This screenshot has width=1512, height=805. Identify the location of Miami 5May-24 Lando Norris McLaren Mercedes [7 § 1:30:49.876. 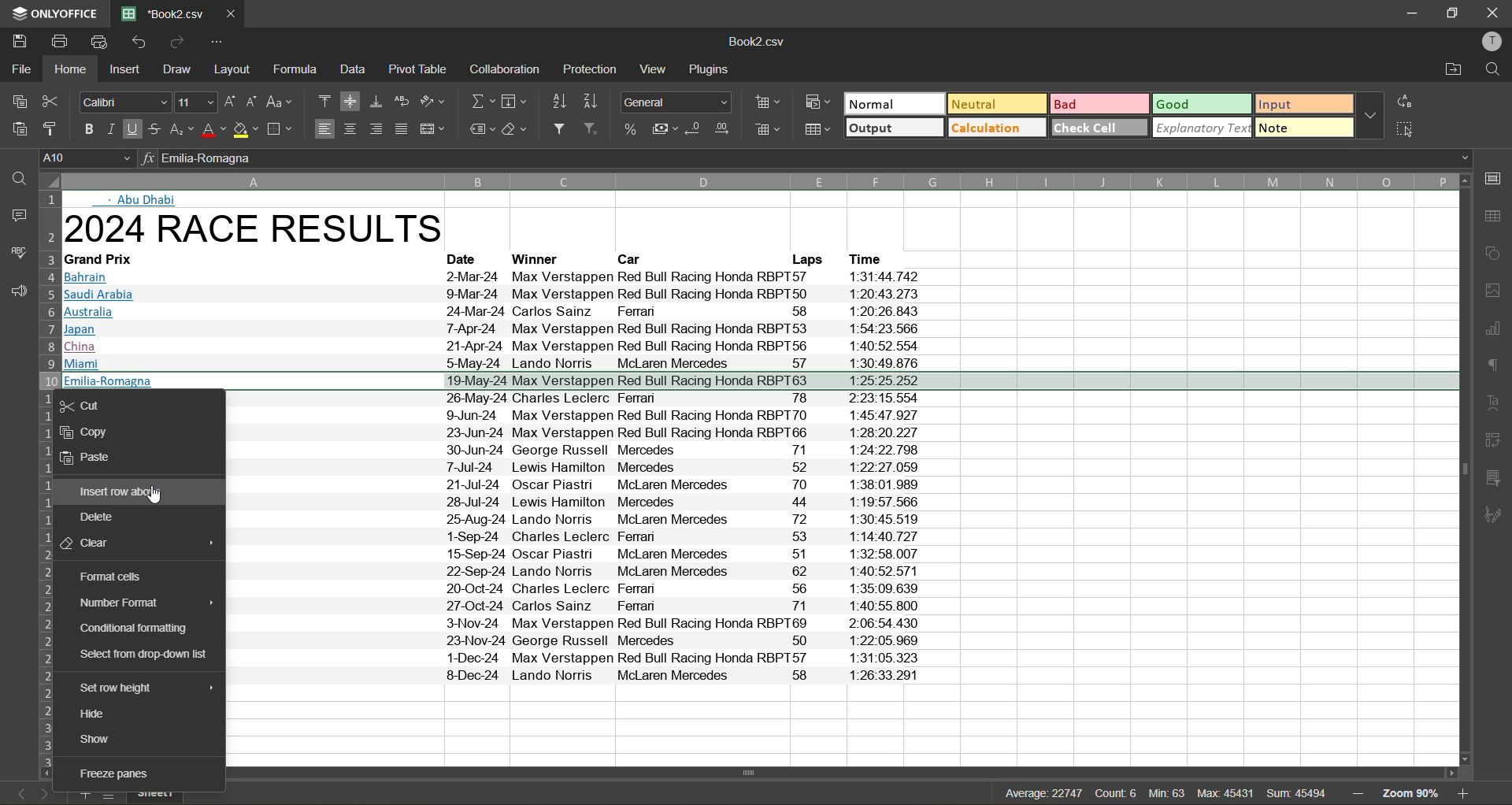
(493, 364).